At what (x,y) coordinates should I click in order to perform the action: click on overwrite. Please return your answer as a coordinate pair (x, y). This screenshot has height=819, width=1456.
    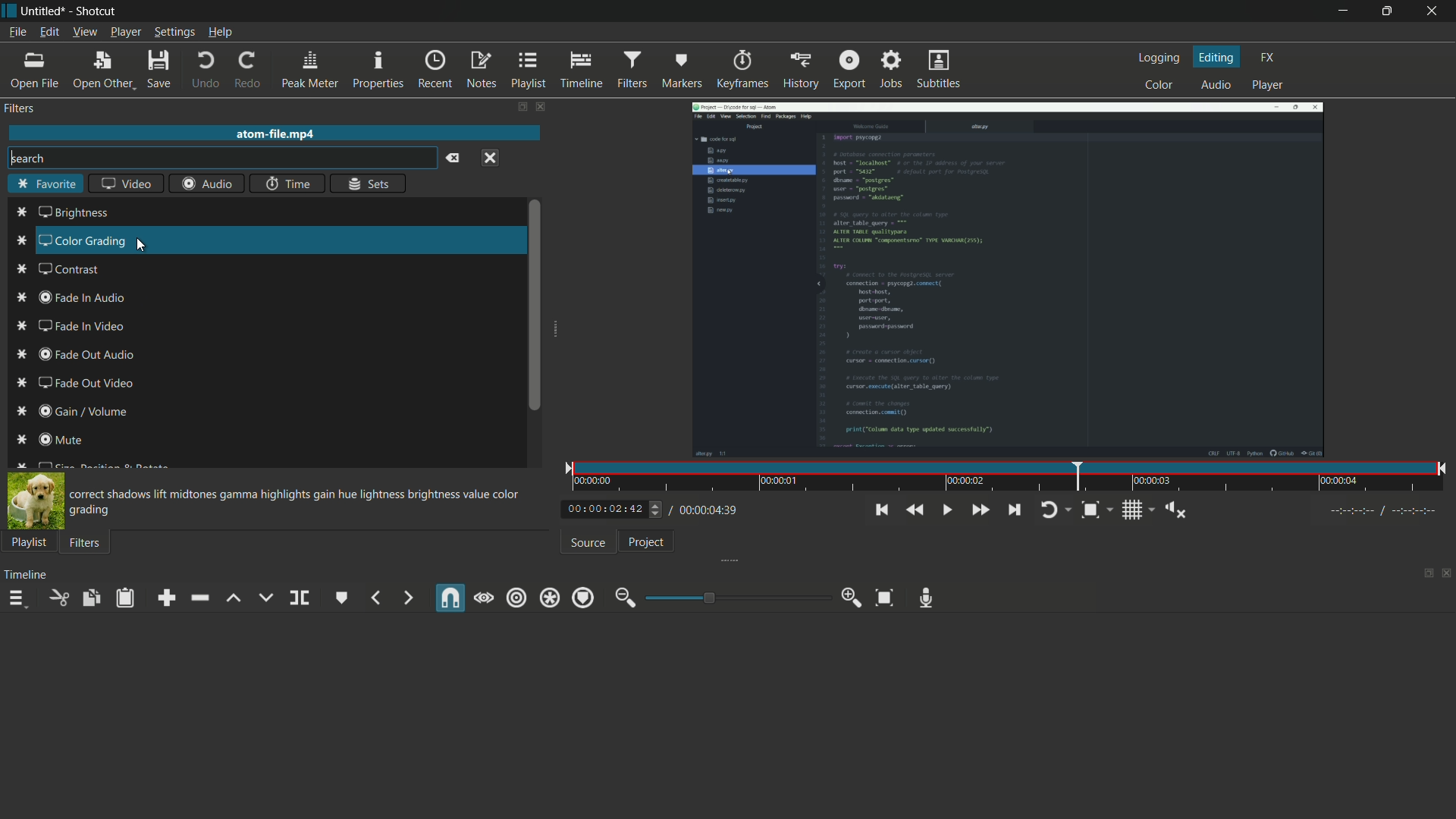
    Looking at the image, I should click on (265, 598).